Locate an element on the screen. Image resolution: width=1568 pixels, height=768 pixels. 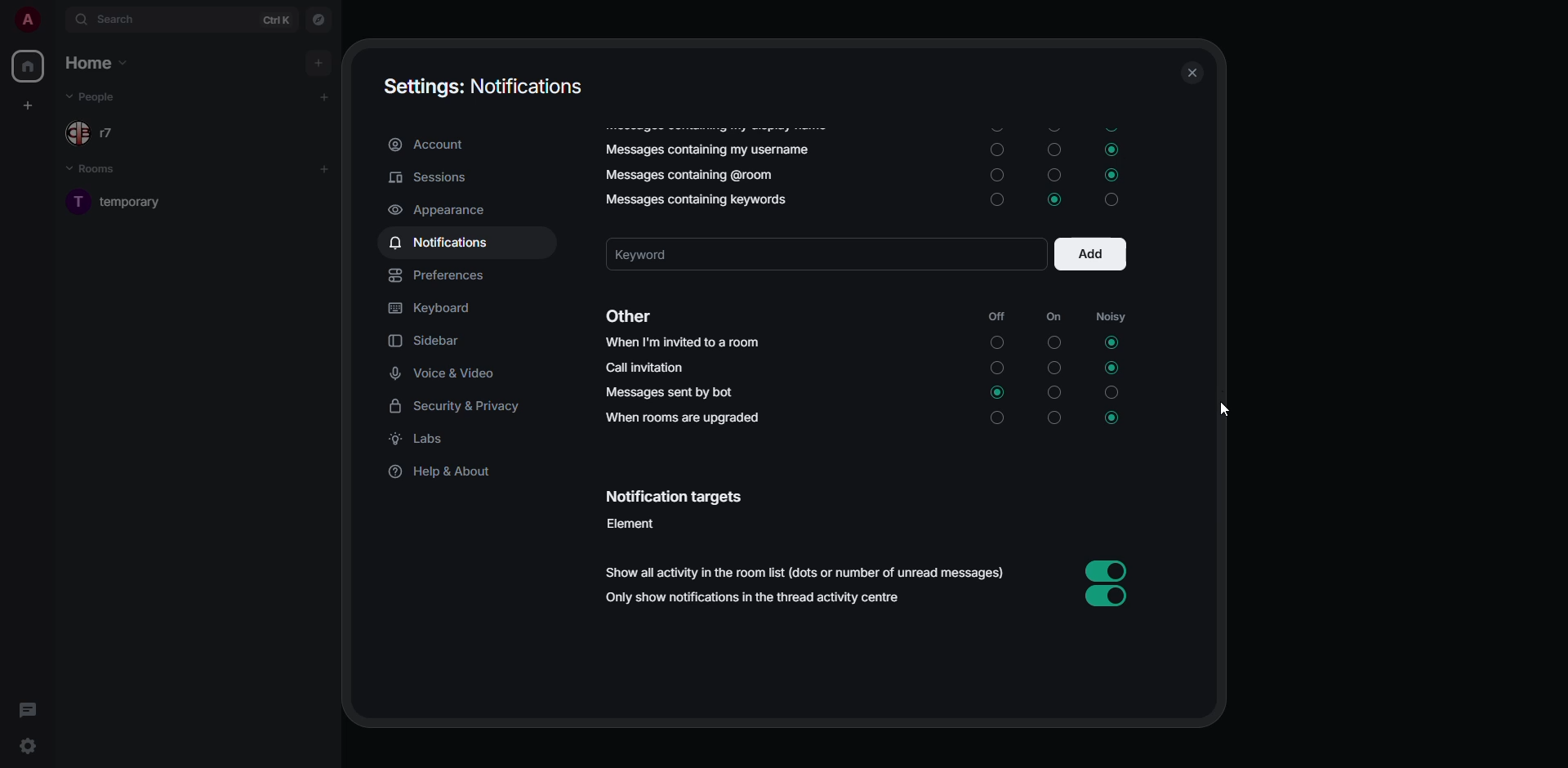
messages containing keywords is located at coordinates (689, 197).